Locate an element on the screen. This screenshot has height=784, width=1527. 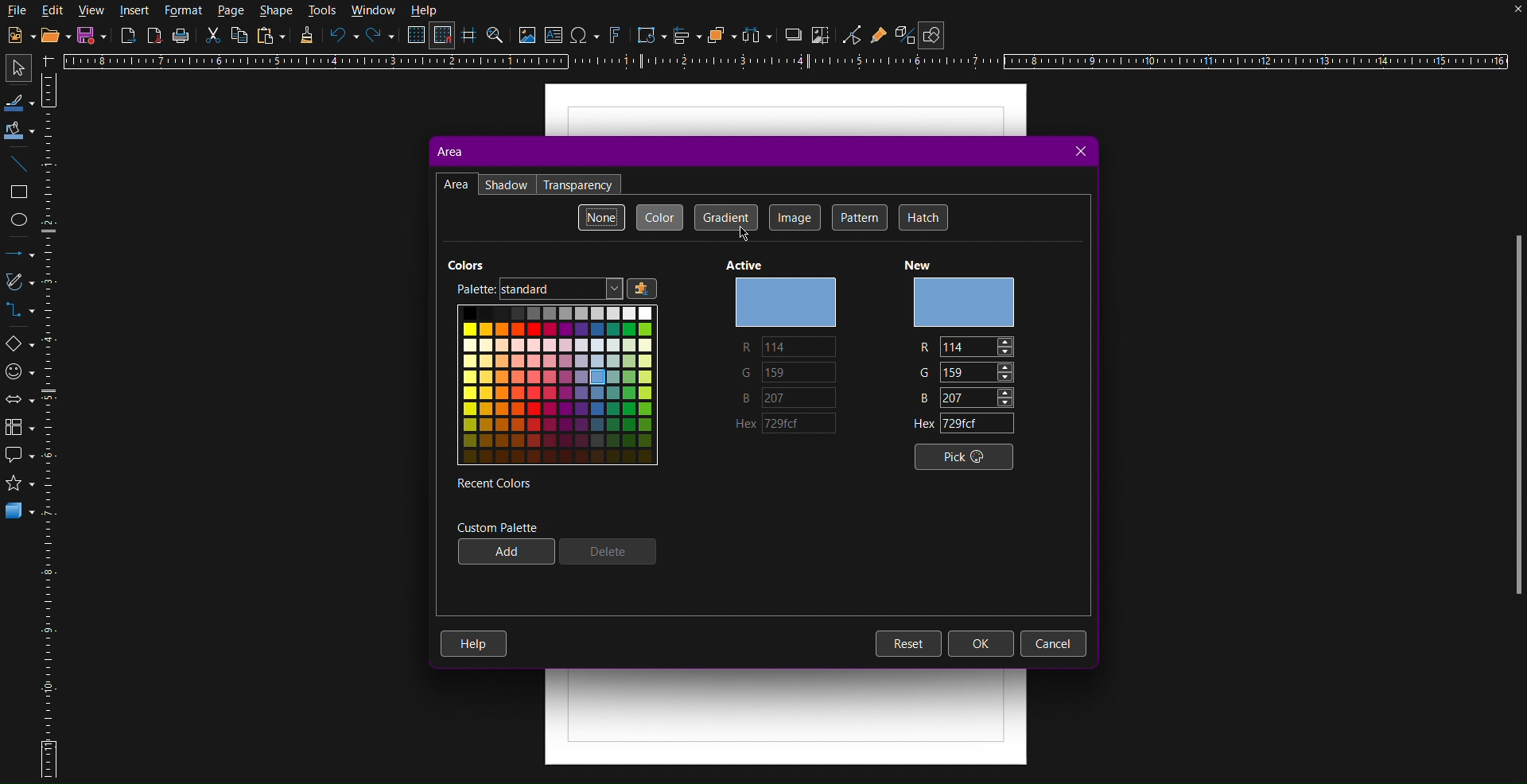
Arrange is located at coordinates (719, 36).